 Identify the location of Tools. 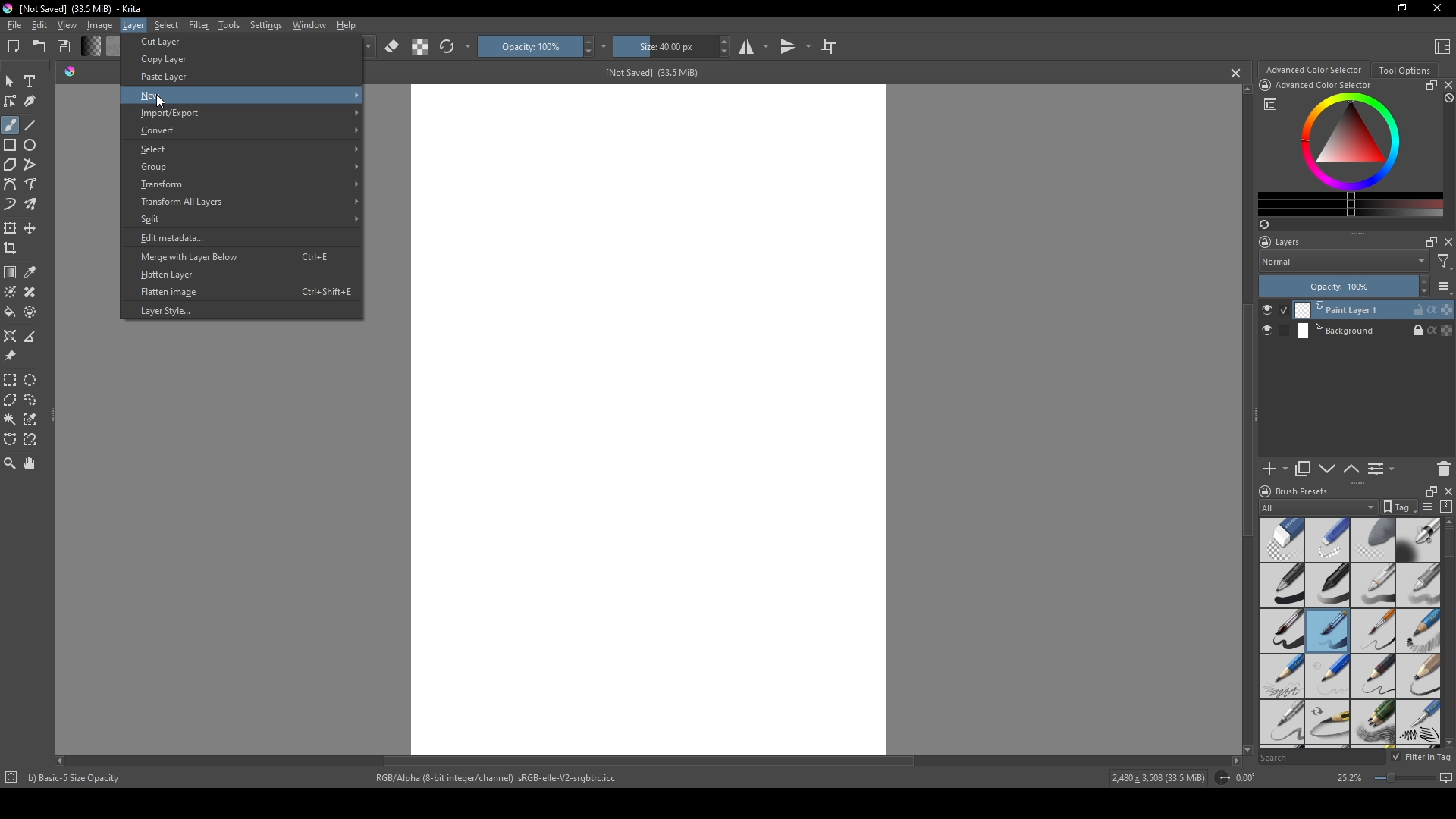
(229, 24).